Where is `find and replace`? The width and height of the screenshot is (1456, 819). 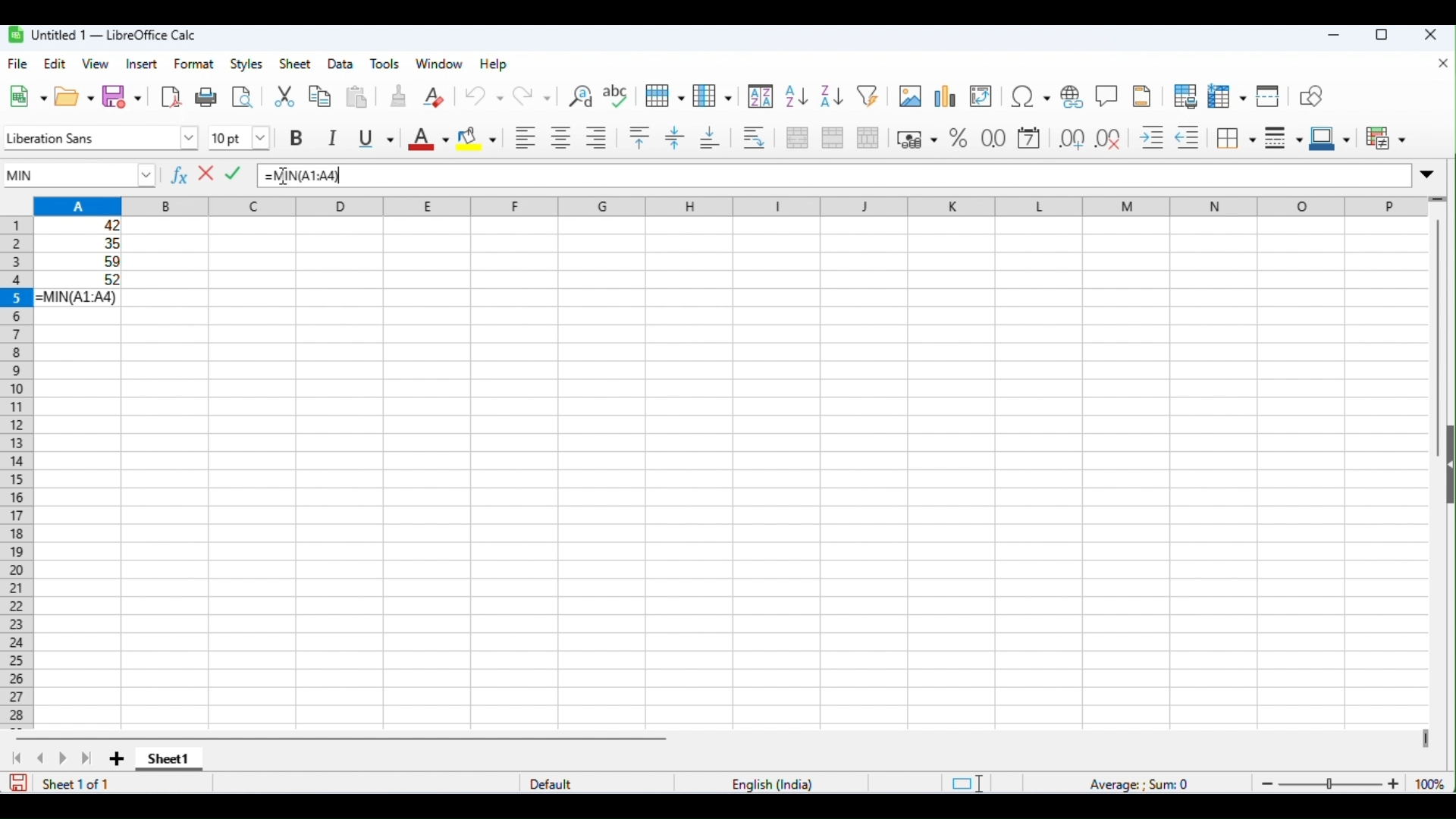 find and replace is located at coordinates (577, 95).